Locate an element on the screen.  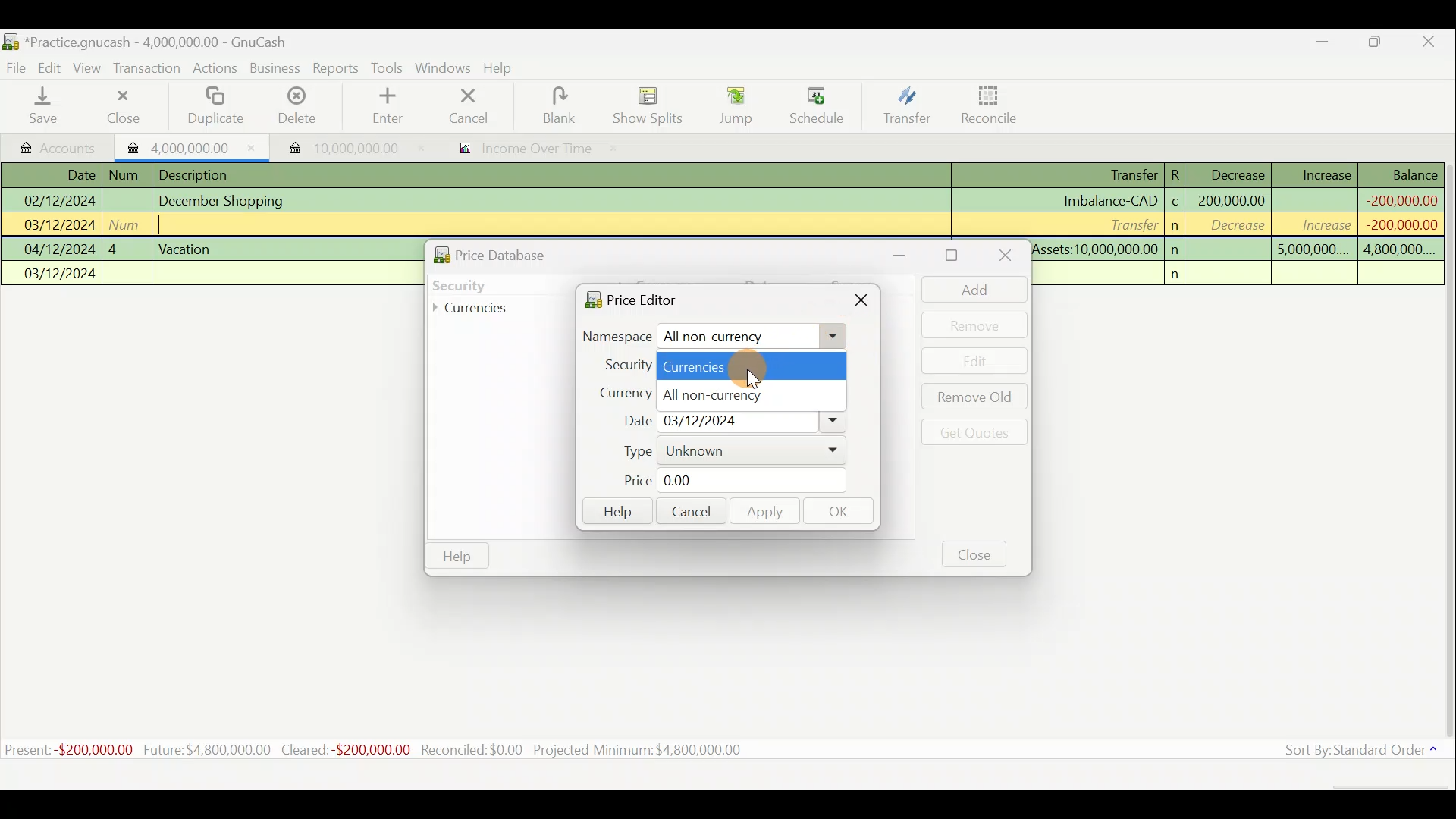
Schedule is located at coordinates (817, 105).